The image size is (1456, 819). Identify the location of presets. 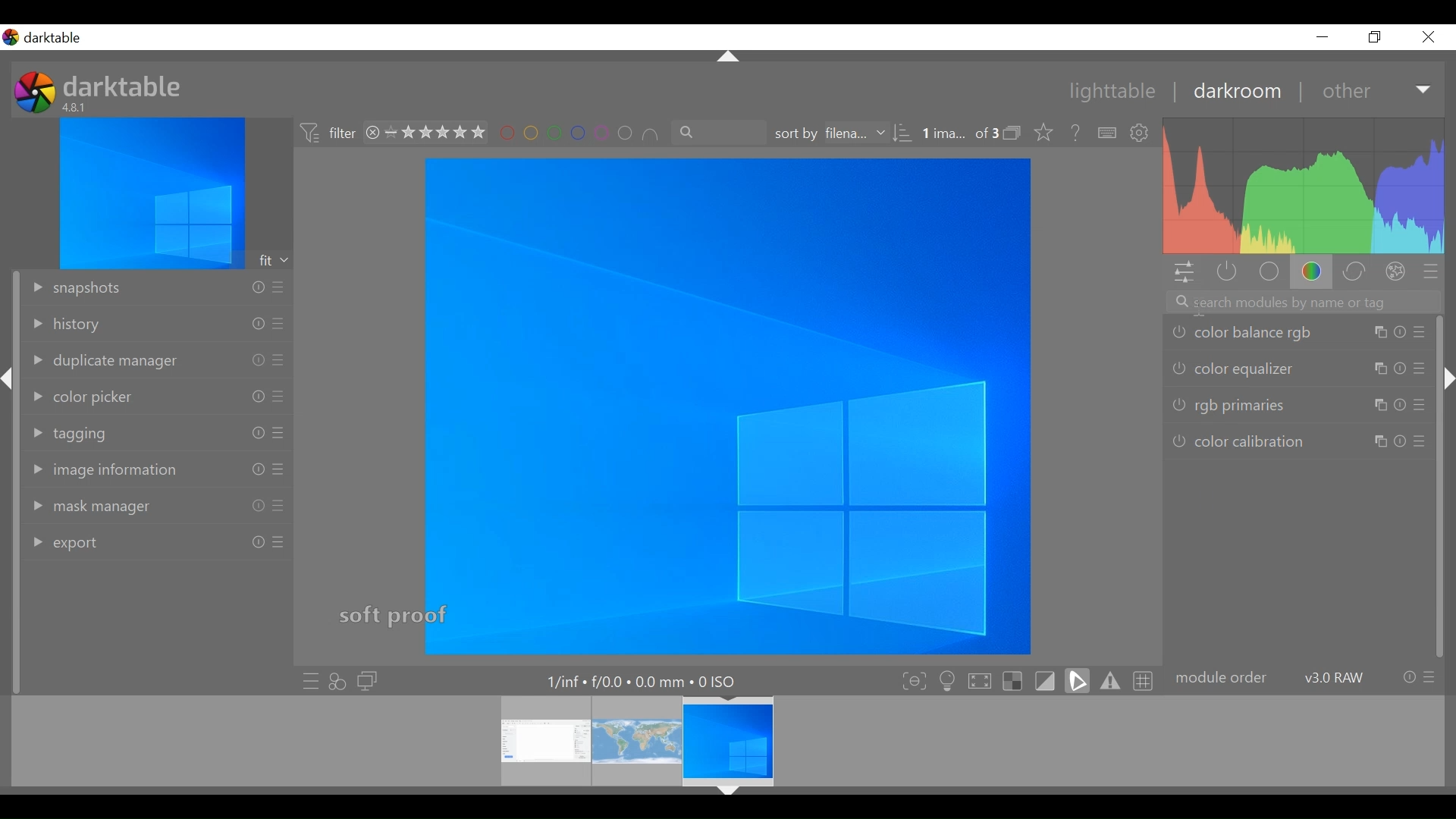
(1432, 273).